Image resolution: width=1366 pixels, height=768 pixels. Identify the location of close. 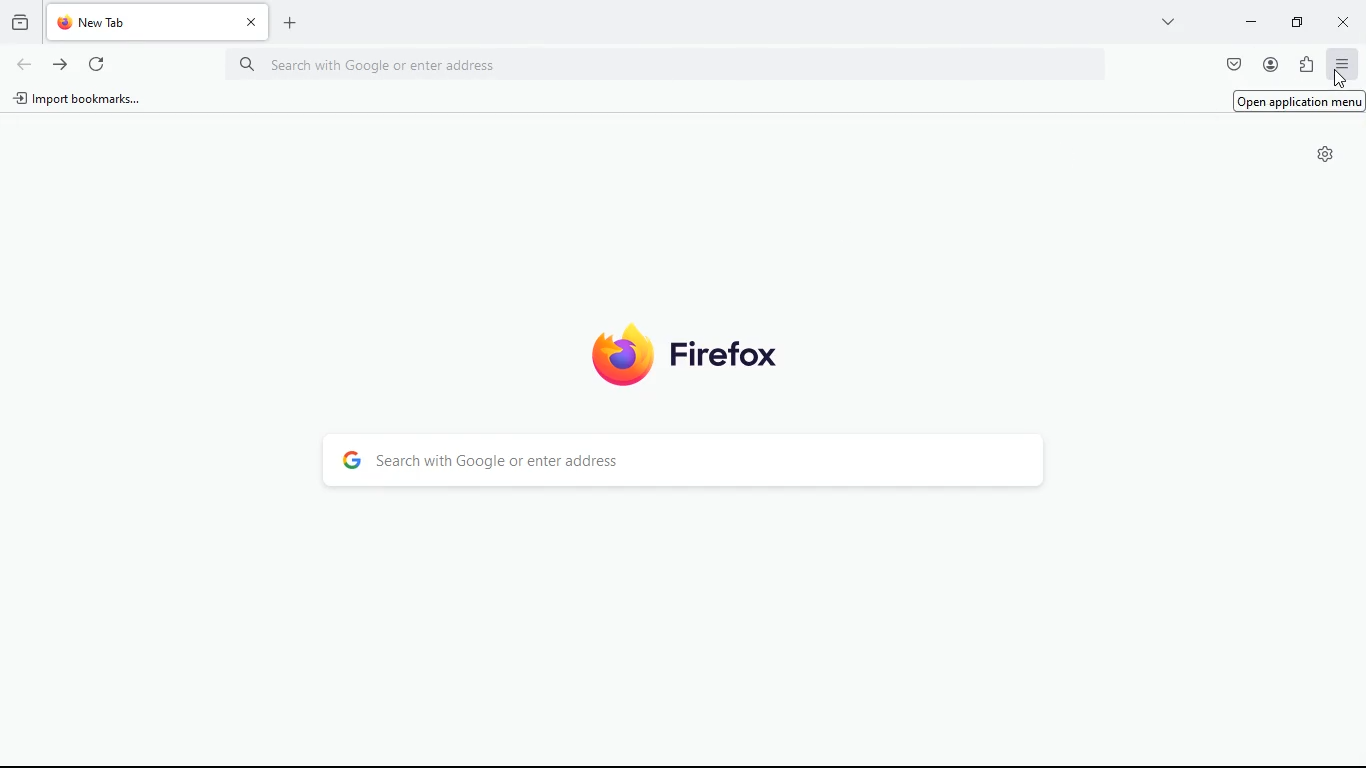
(251, 21).